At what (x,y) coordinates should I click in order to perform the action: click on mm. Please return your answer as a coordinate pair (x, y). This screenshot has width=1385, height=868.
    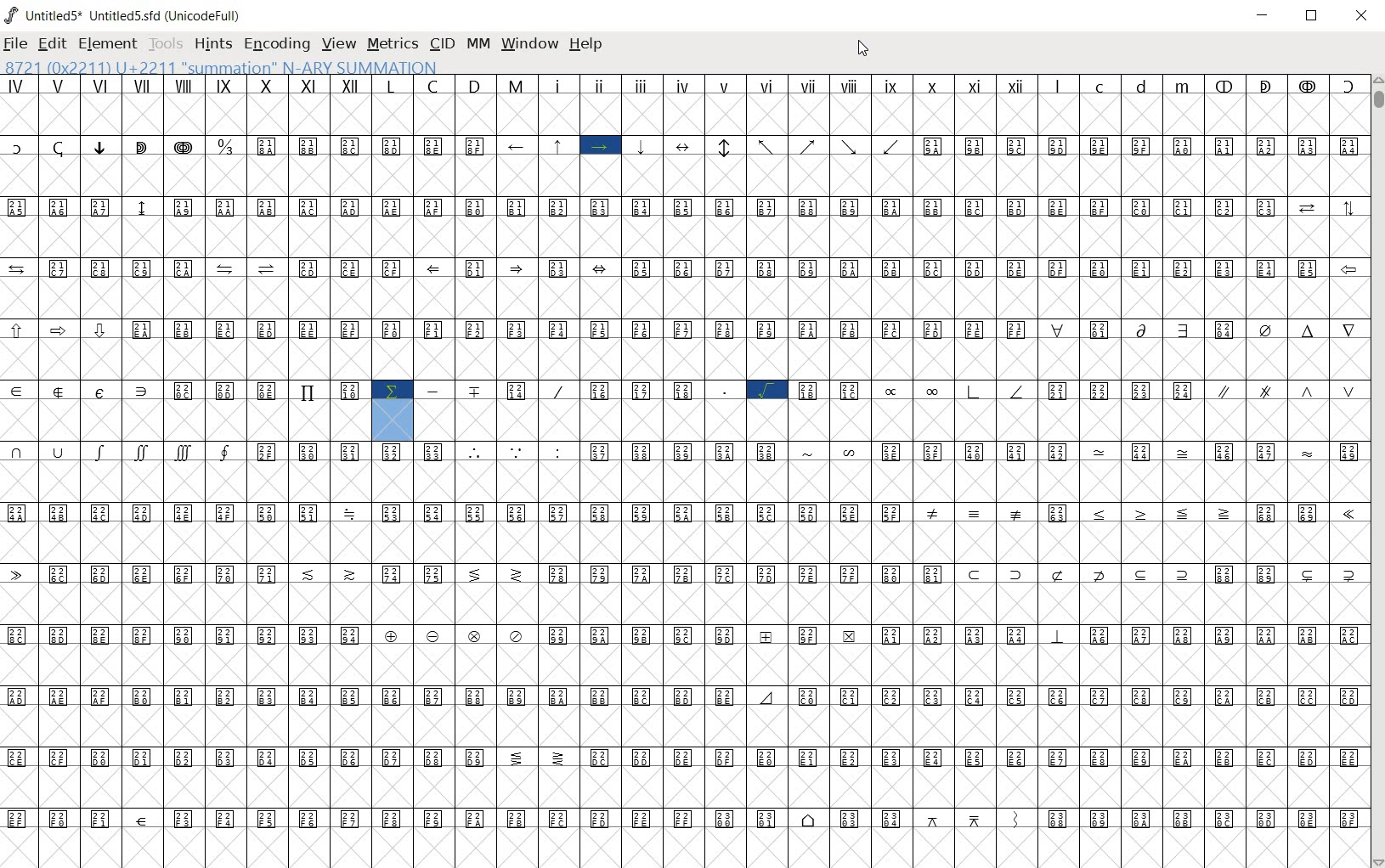
    Looking at the image, I should click on (476, 44).